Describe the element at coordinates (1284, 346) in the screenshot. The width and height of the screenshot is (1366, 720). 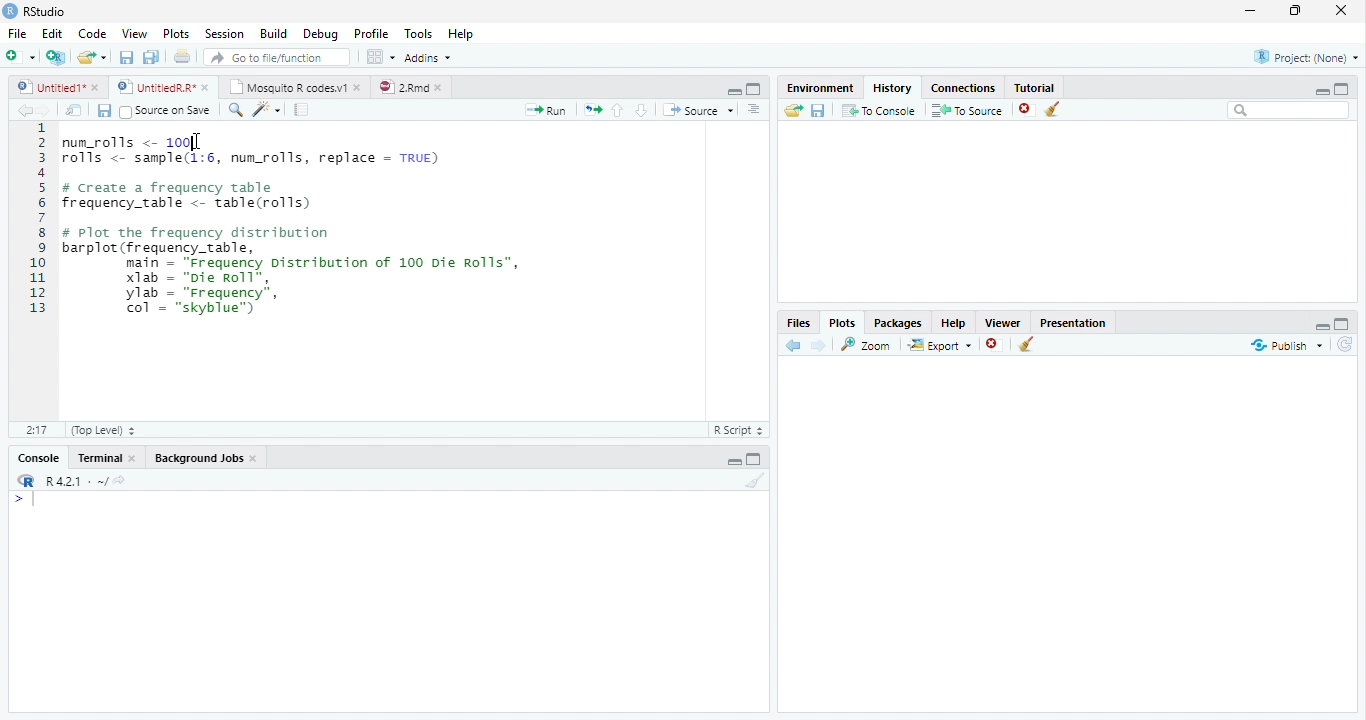
I see `Publish` at that location.